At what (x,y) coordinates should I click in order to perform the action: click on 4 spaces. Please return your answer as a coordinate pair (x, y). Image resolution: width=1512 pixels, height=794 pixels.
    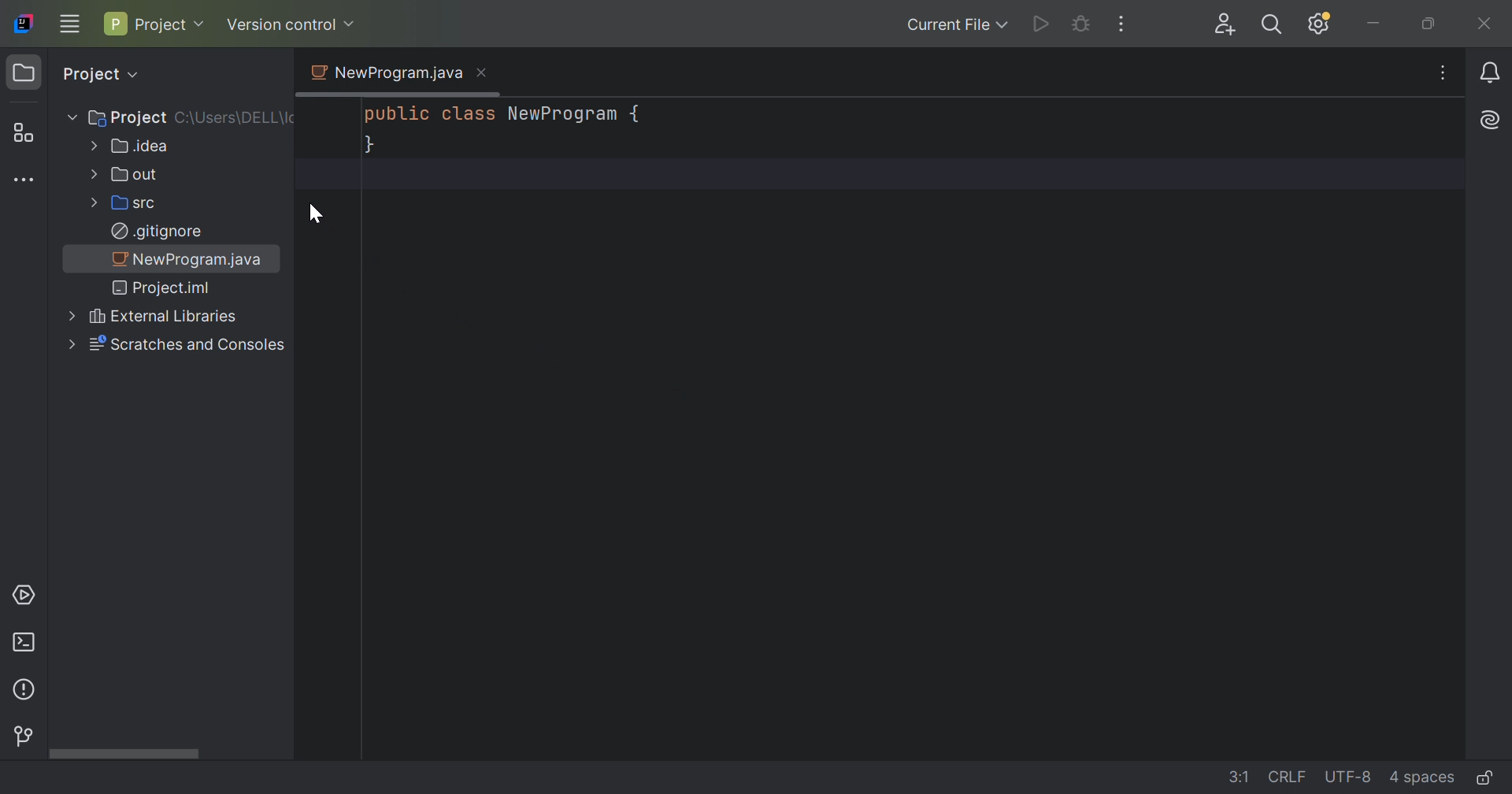
    Looking at the image, I should click on (1420, 775).